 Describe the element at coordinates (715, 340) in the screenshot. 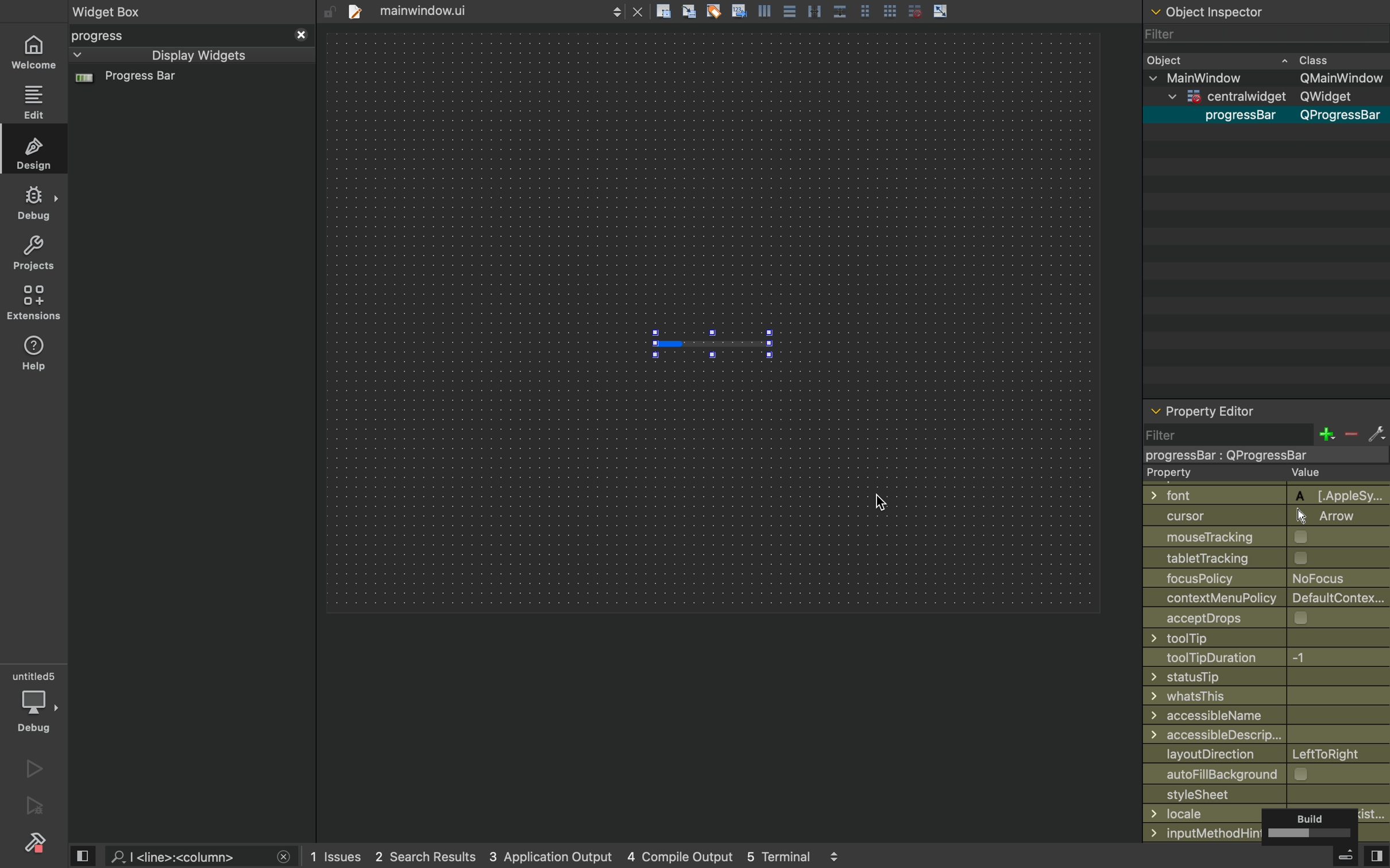

I see `progressbar` at that location.